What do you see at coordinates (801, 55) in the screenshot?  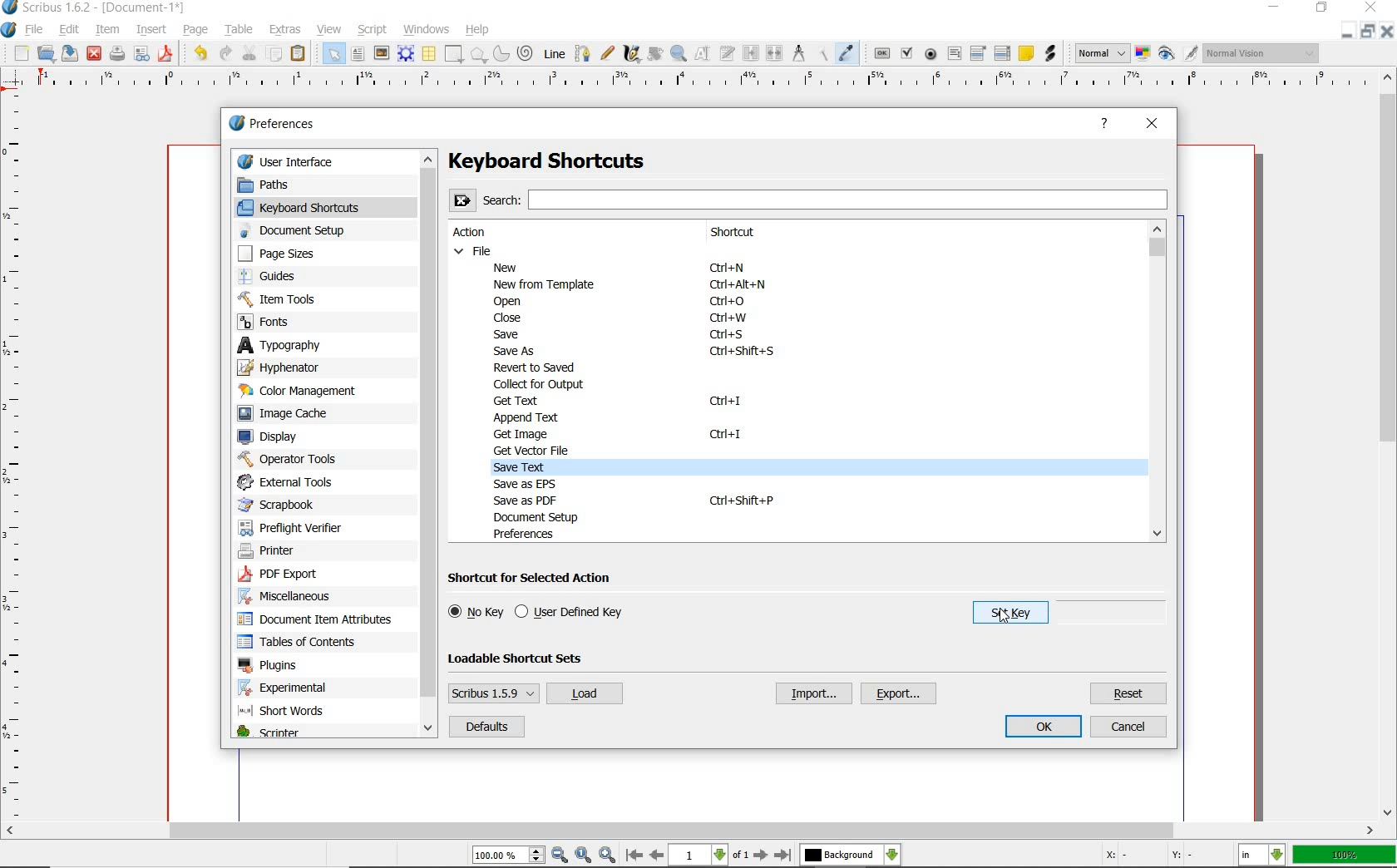 I see `measurements` at bounding box center [801, 55].